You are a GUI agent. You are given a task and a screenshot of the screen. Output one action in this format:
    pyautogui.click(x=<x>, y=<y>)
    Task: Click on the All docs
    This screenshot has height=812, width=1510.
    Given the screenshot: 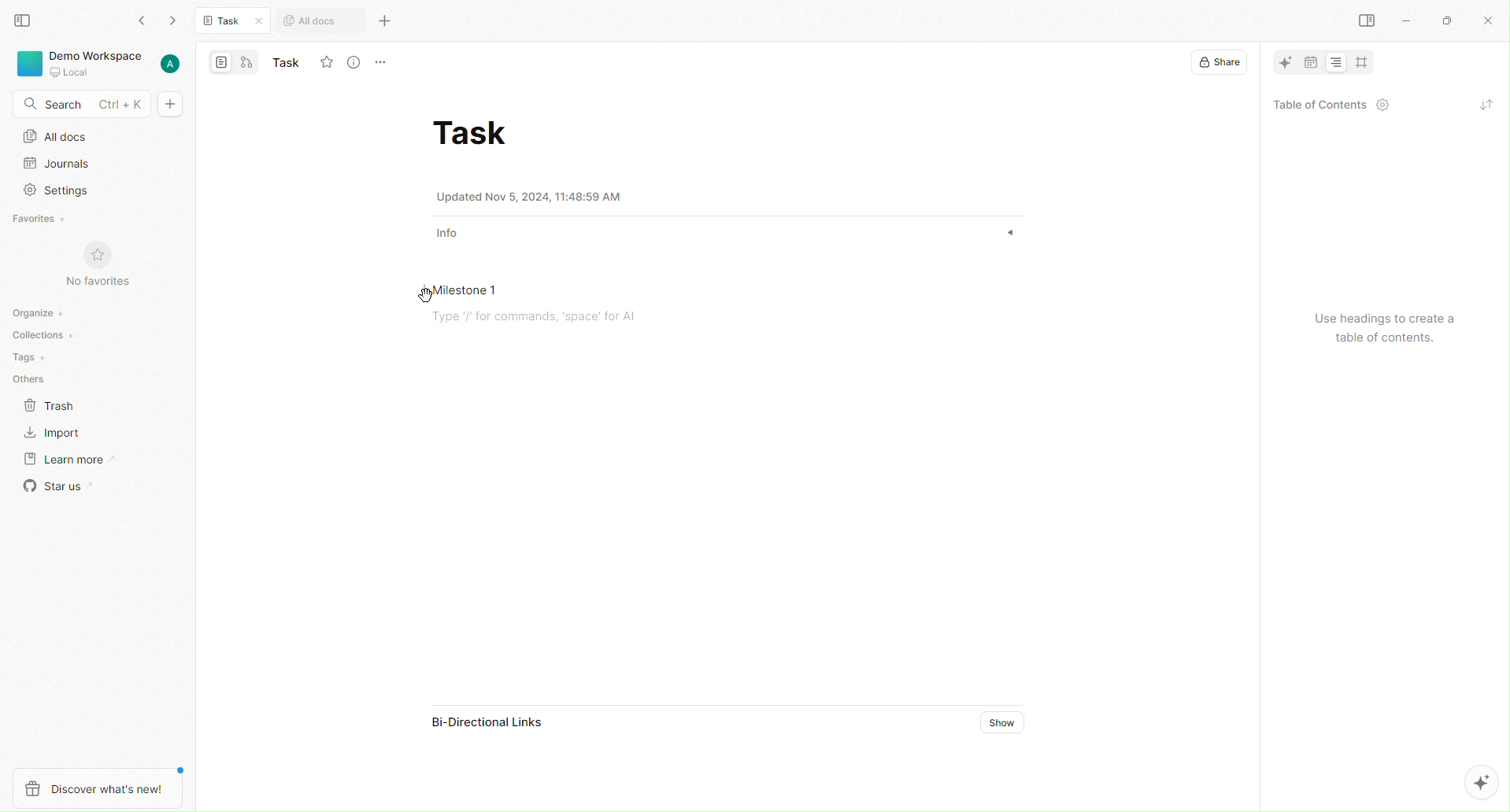 What is the action you would take?
    pyautogui.click(x=313, y=22)
    